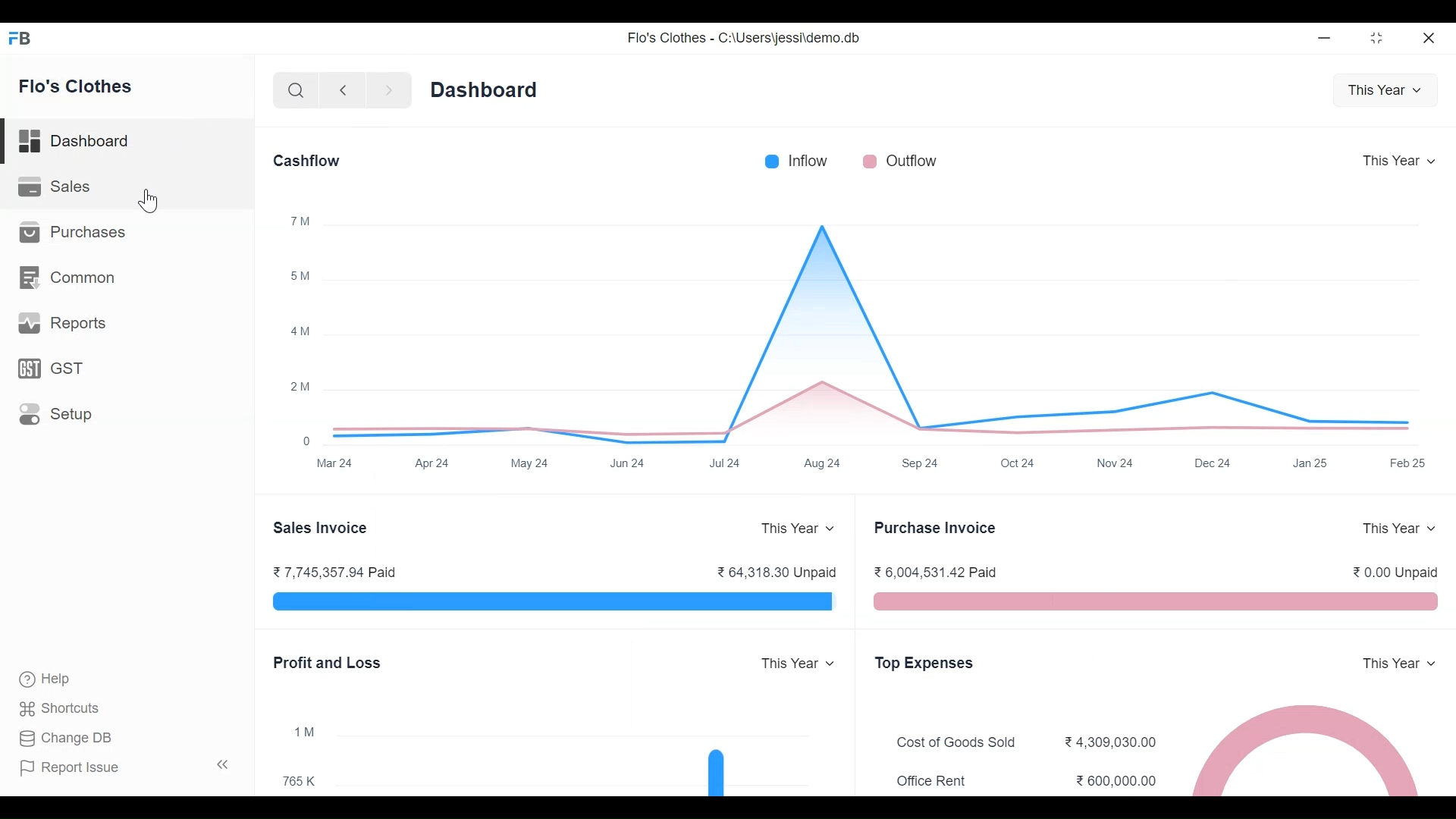 The width and height of the screenshot is (1456, 819). Describe the element at coordinates (302, 221) in the screenshot. I see `™` at that location.